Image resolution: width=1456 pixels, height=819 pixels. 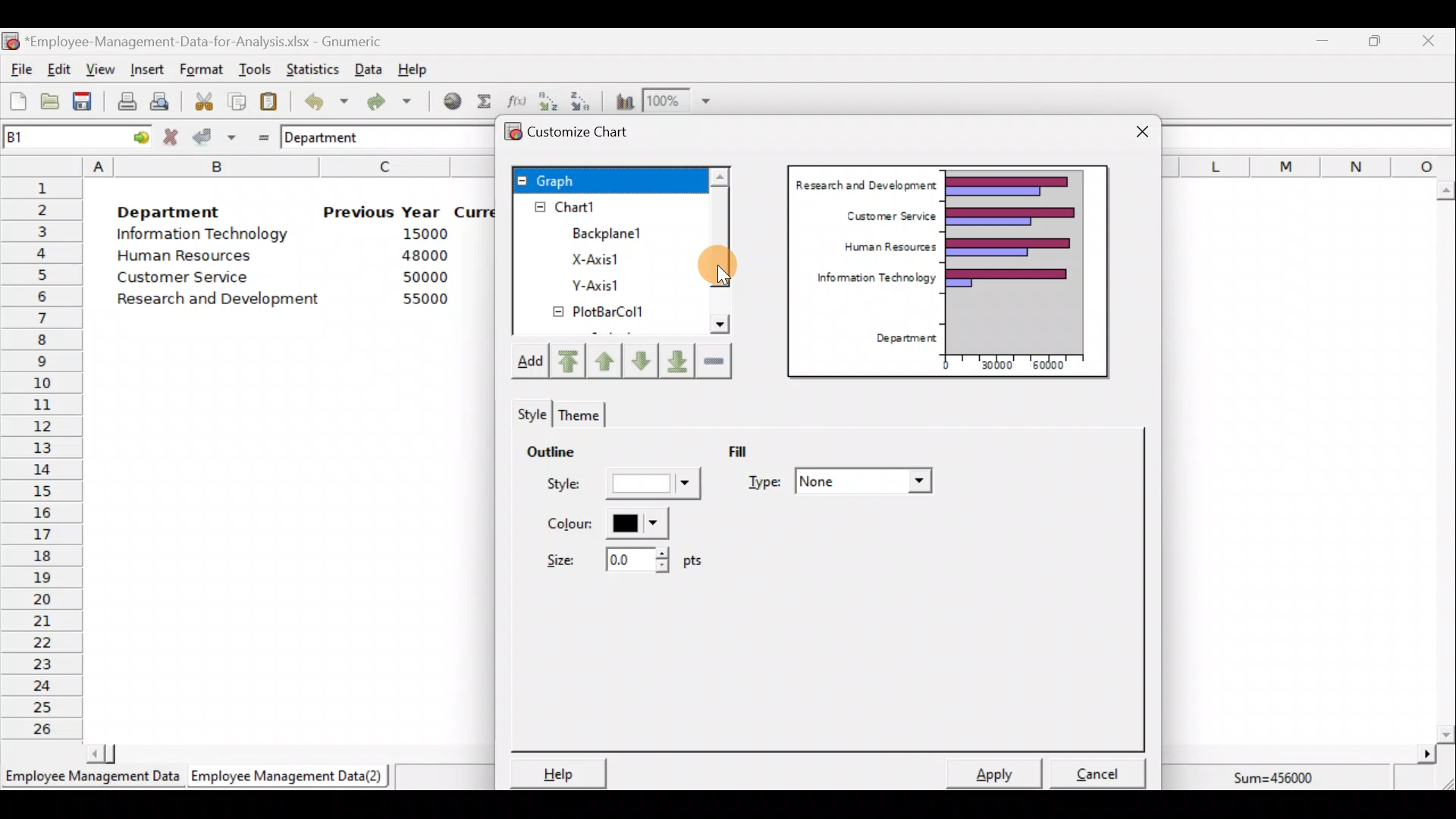 What do you see at coordinates (847, 483) in the screenshot?
I see `Type` at bounding box center [847, 483].